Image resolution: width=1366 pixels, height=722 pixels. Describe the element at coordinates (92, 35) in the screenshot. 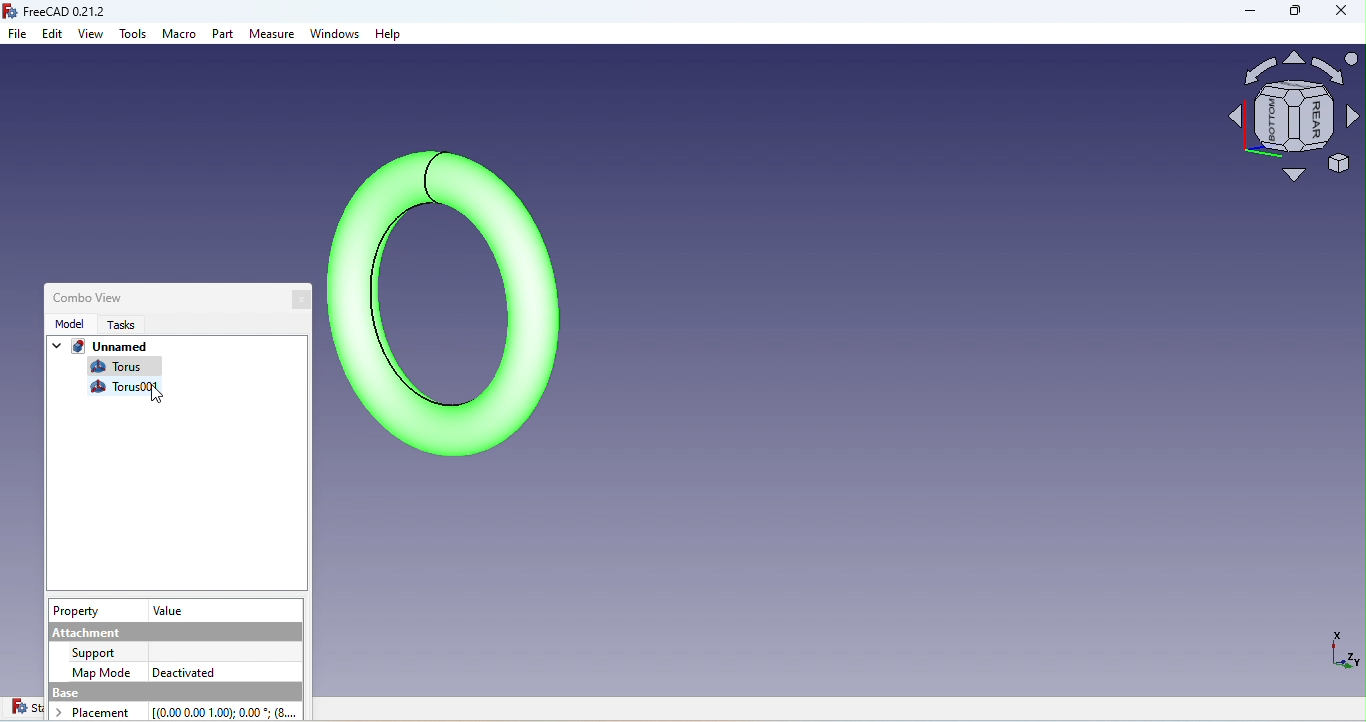

I see `View` at that location.